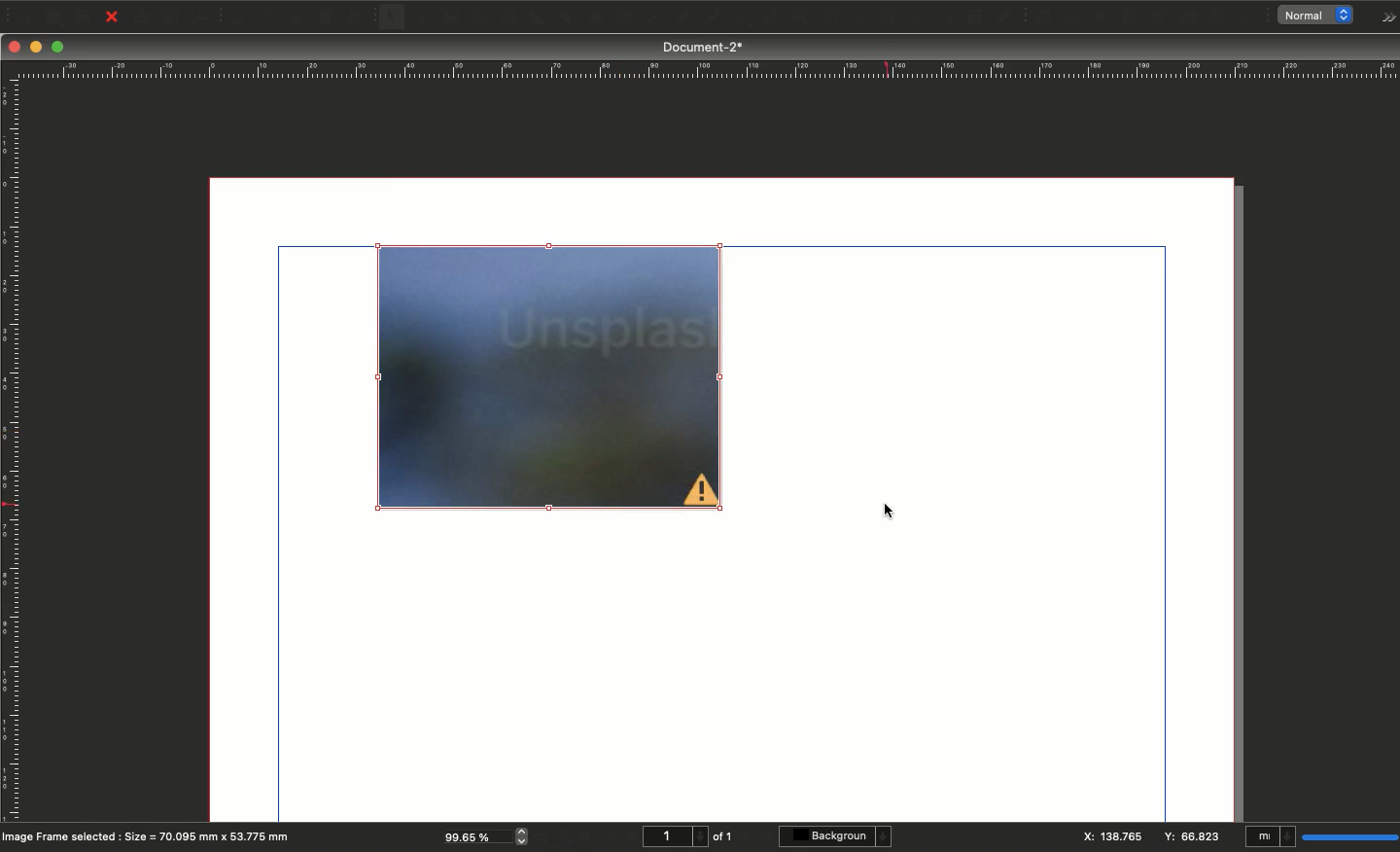  I want to click on mI, so click(1271, 838).